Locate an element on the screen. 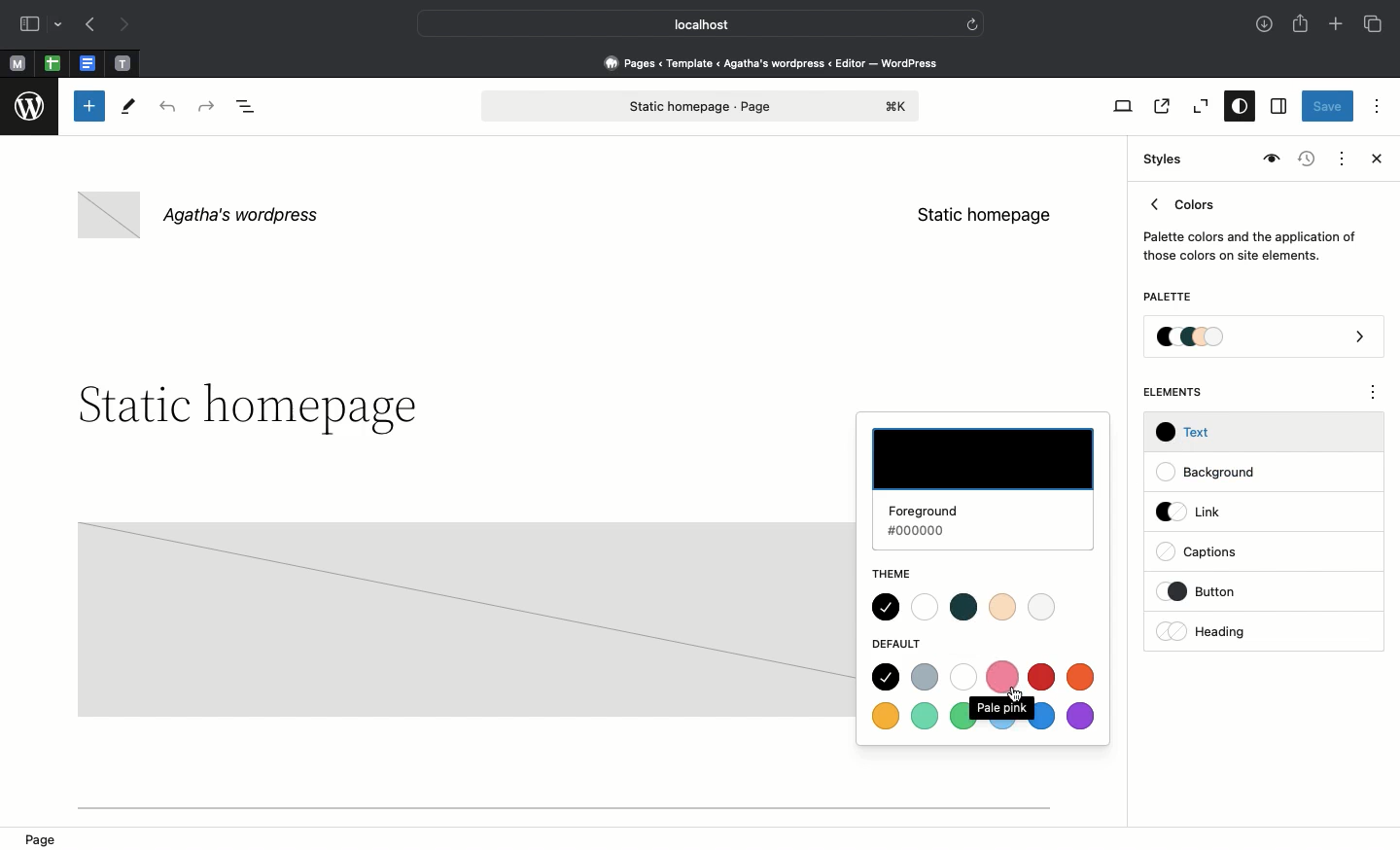  Theme colors is located at coordinates (968, 607).